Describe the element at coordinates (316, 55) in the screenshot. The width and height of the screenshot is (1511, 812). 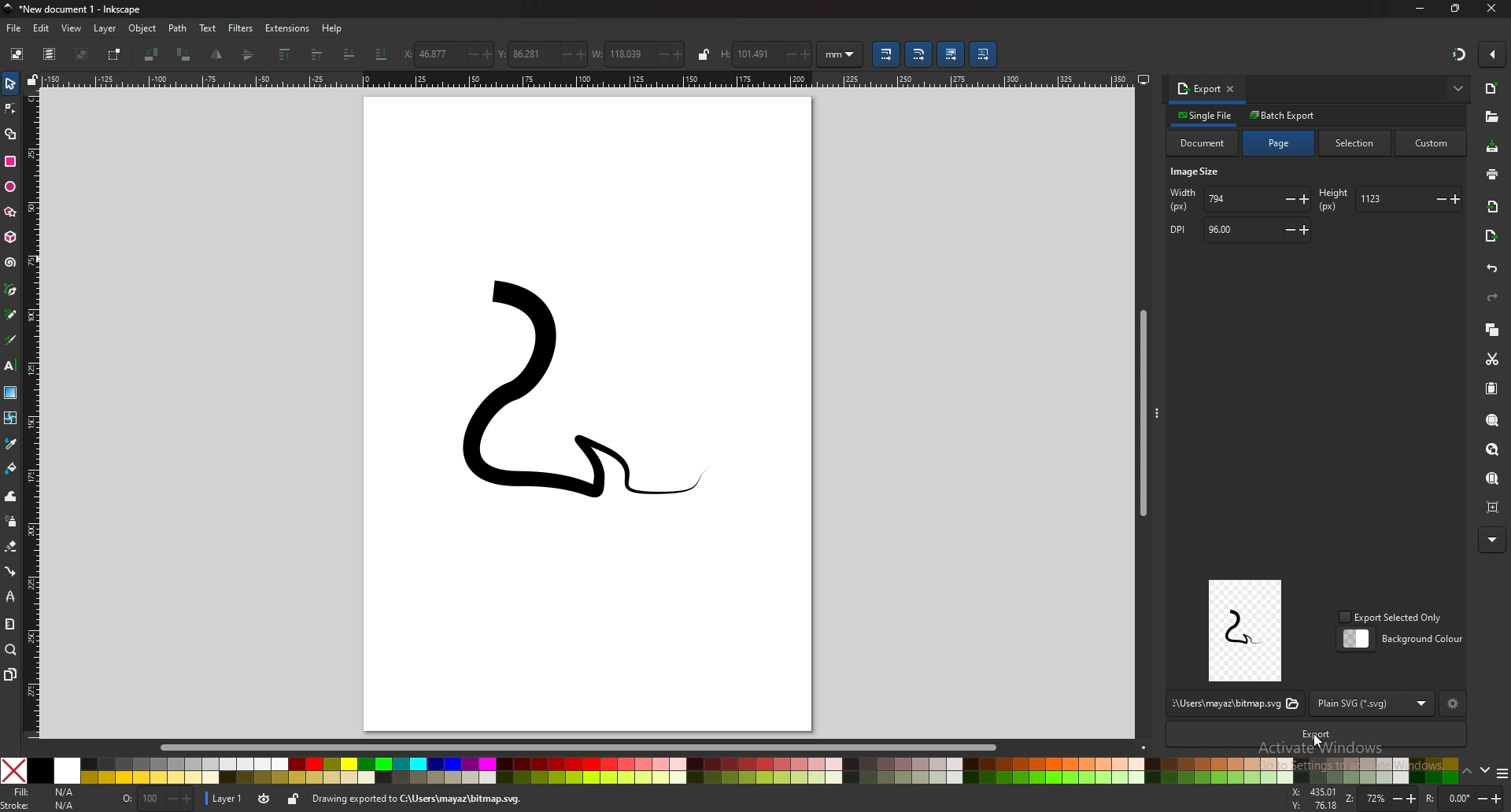
I see `raise selection one step` at that location.